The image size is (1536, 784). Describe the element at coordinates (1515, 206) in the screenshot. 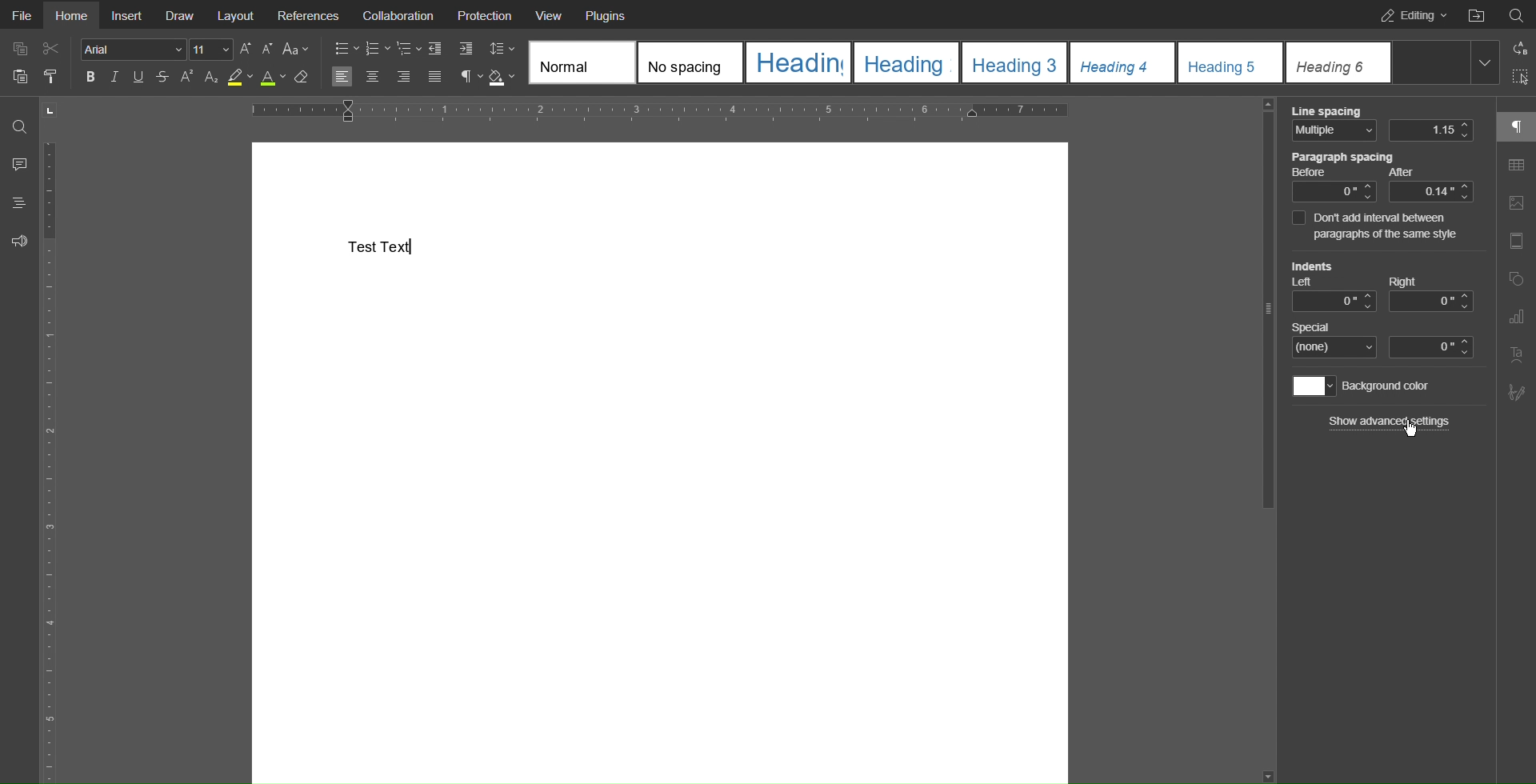

I see `Image Settings` at that location.